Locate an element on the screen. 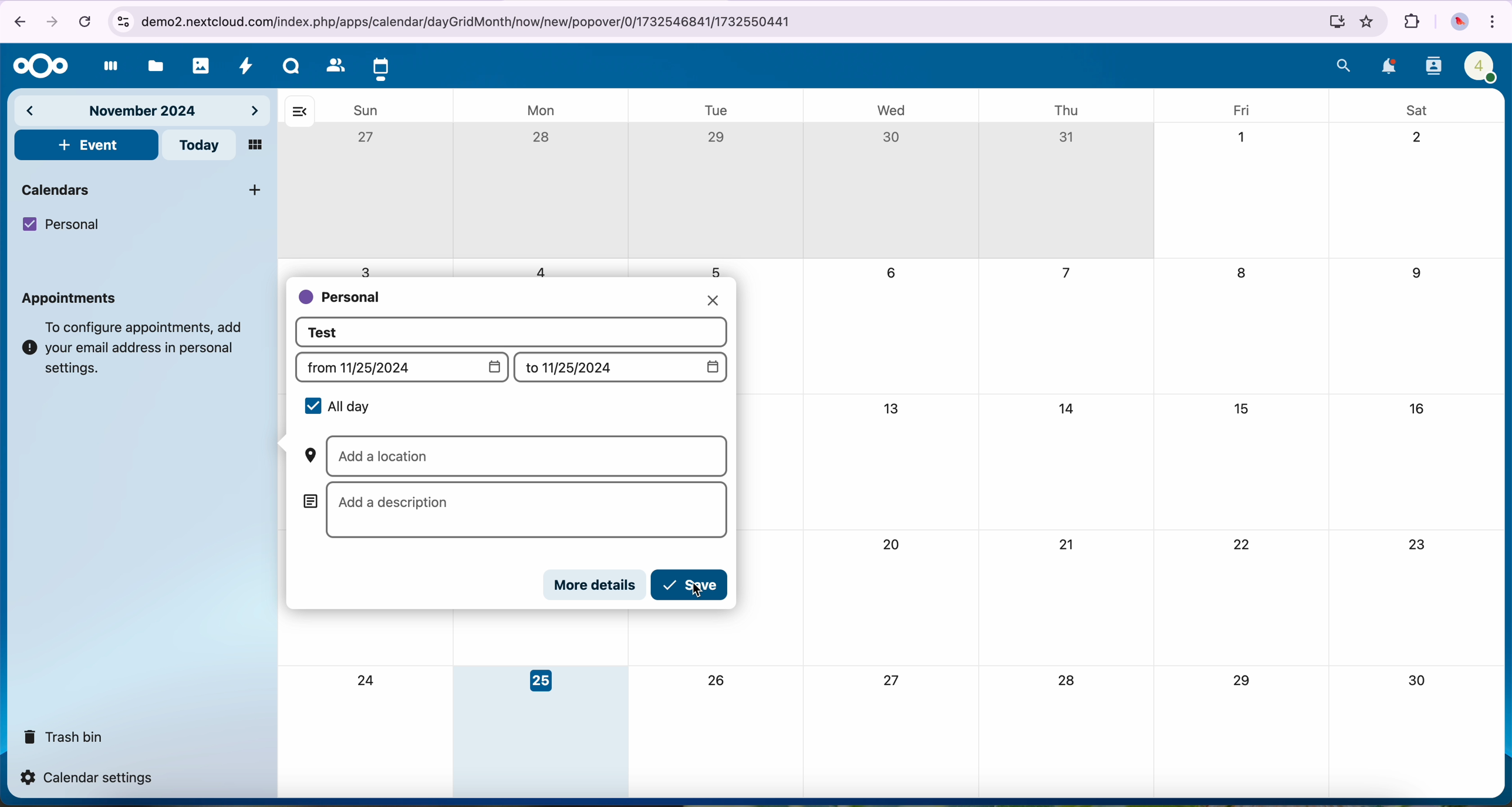  5 is located at coordinates (718, 271).